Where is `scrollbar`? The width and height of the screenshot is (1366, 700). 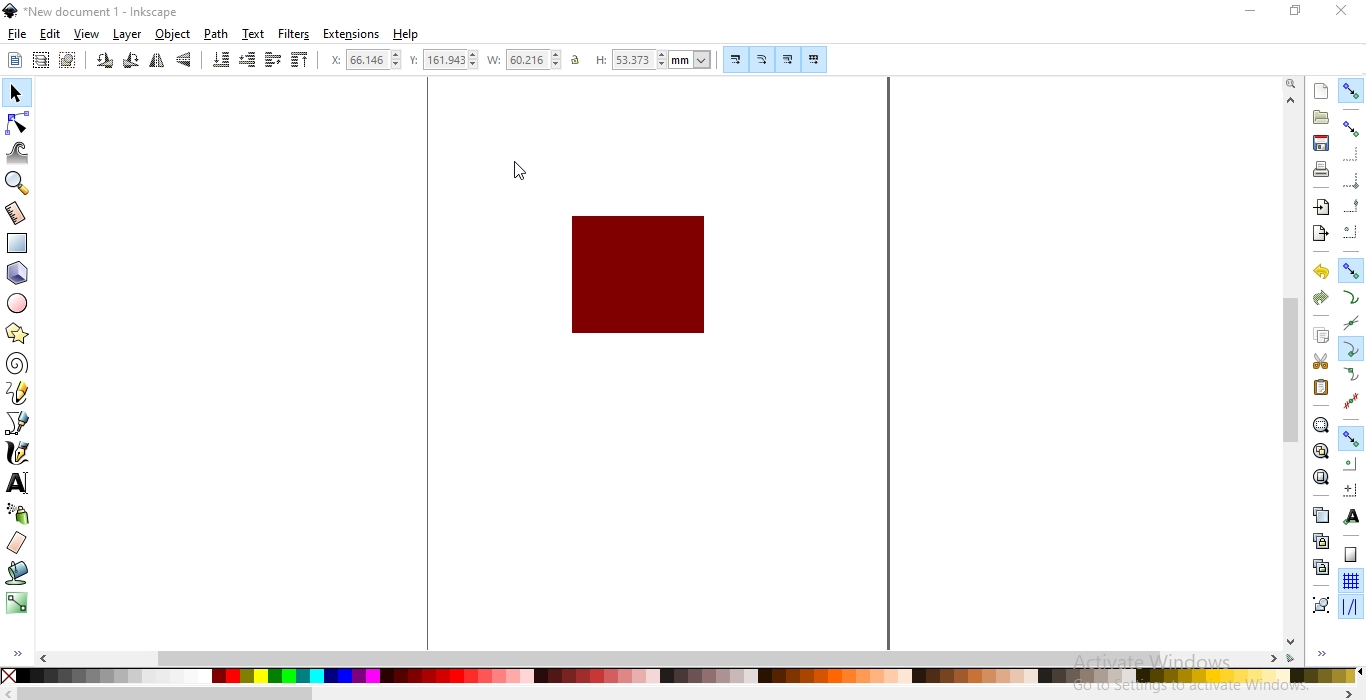
scrollbar is located at coordinates (1291, 368).